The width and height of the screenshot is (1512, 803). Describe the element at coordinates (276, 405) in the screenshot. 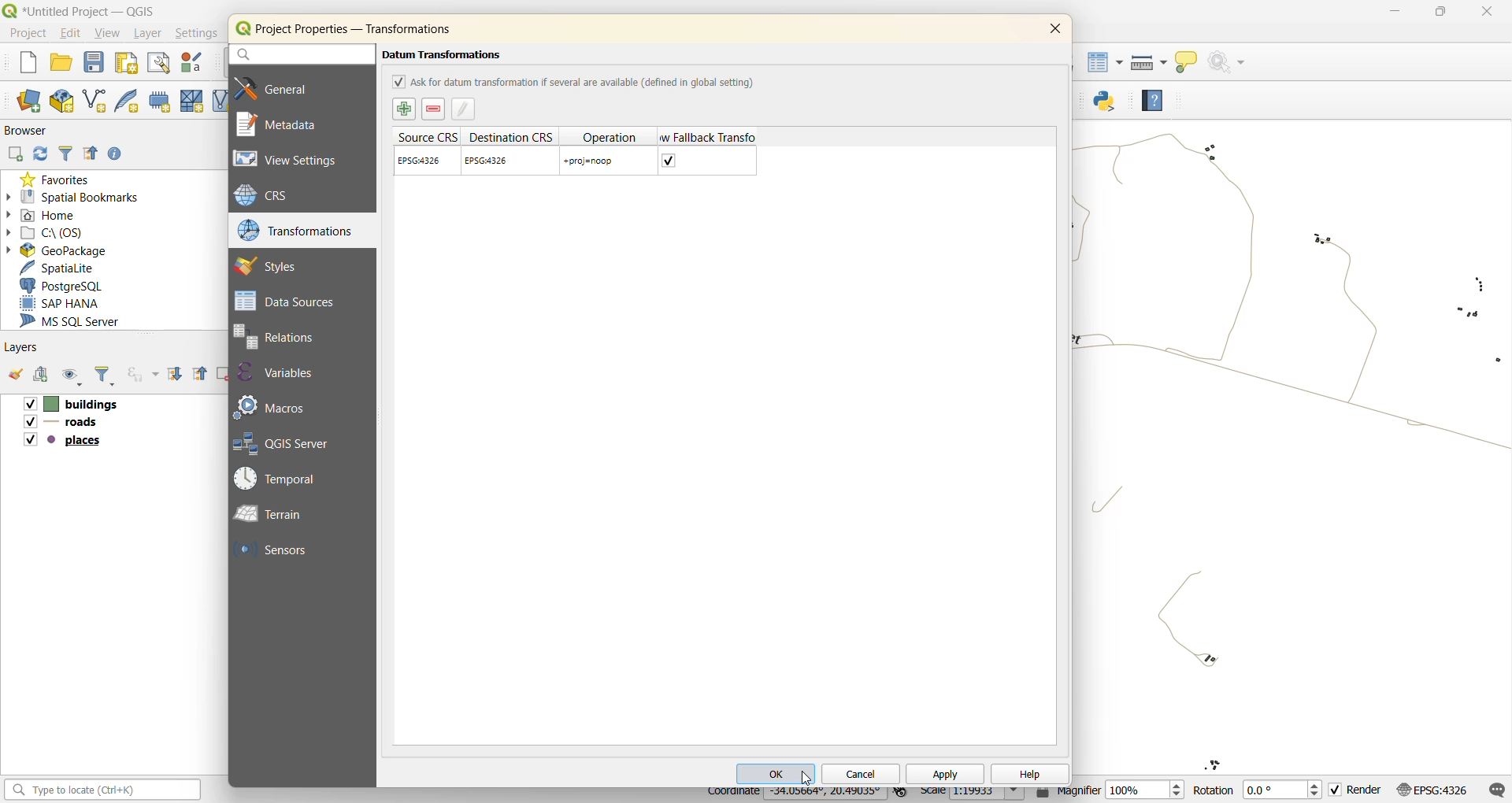

I see `macros` at that location.